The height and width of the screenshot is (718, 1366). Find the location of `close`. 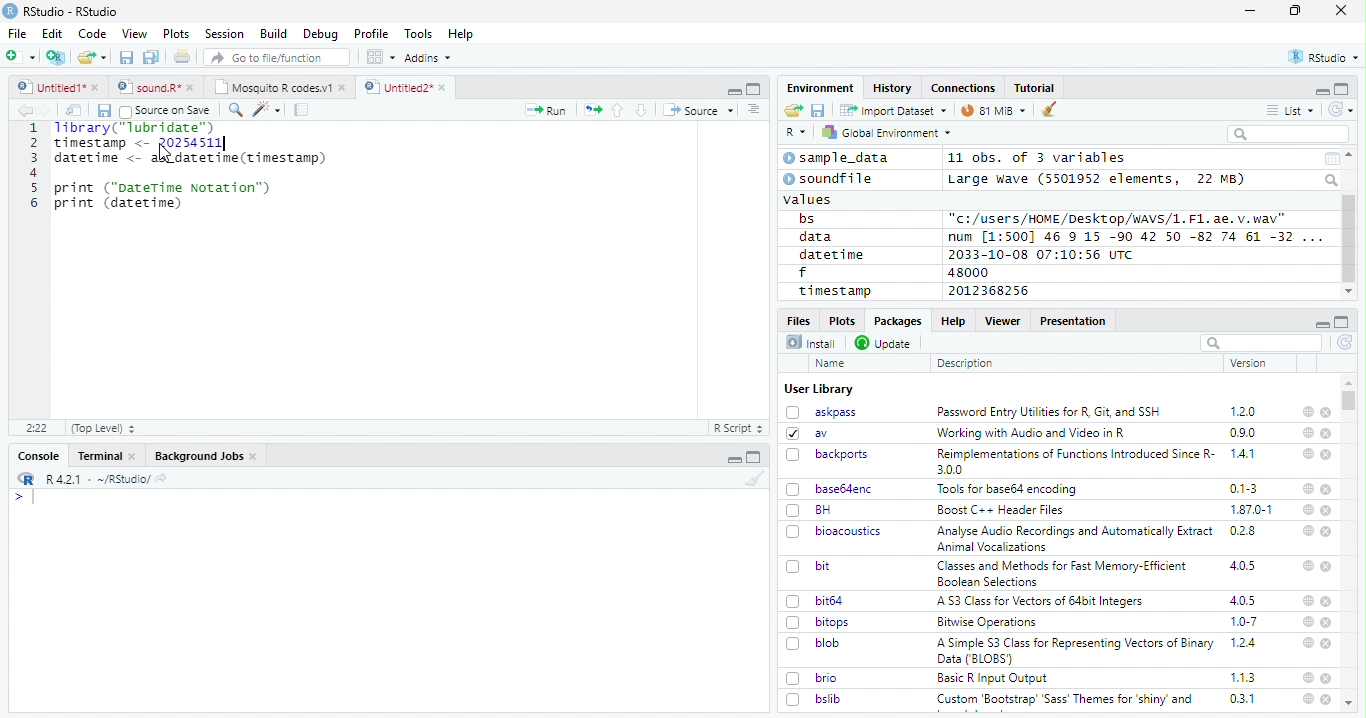

close is located at coordinates (1326, 699).